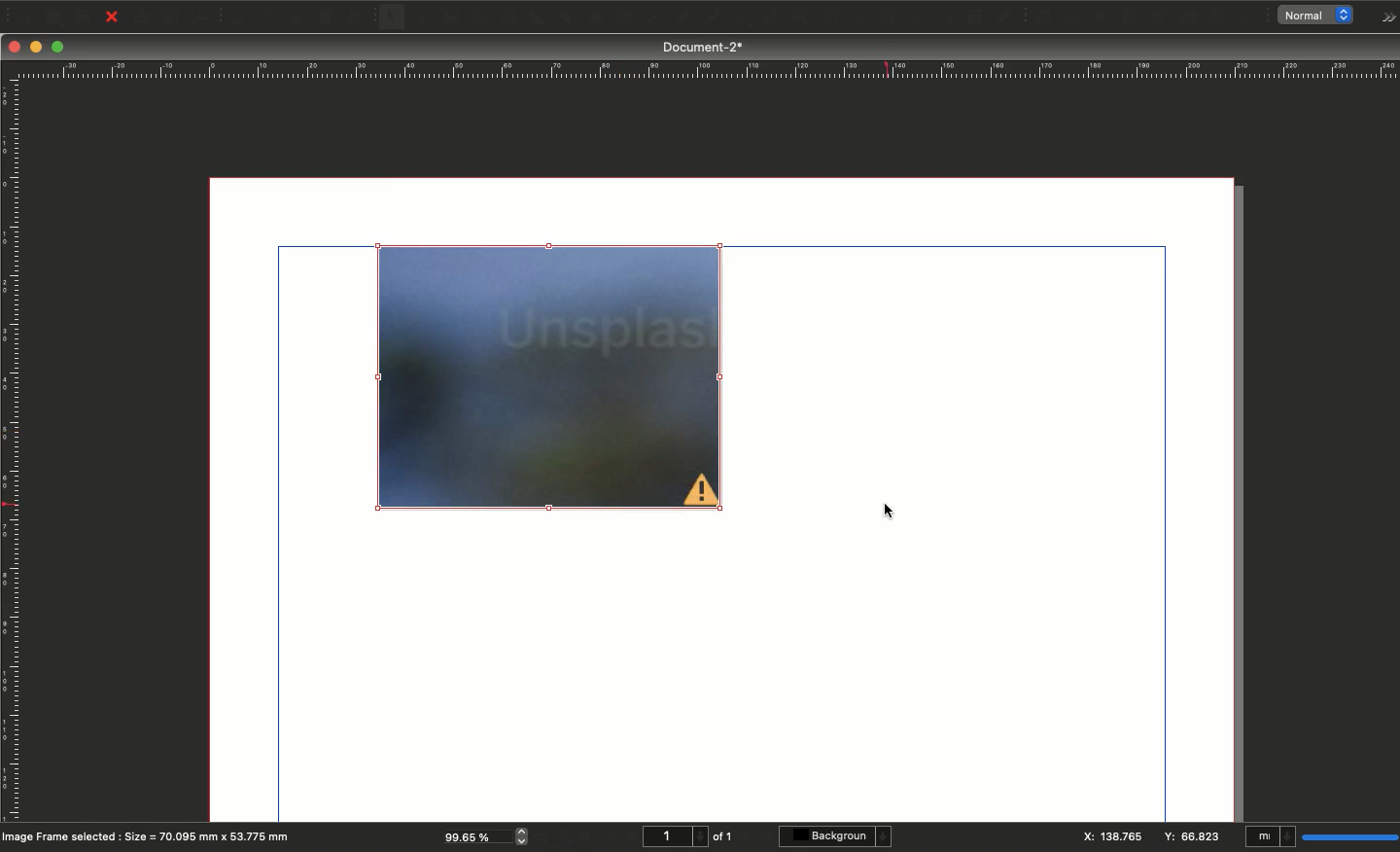 Image resolution: width=1400 pixels, height=852 pixels. What do you see at coordinates (897, 513) in the screenshot?
I see `cursor` at bounding box center [897, 513].